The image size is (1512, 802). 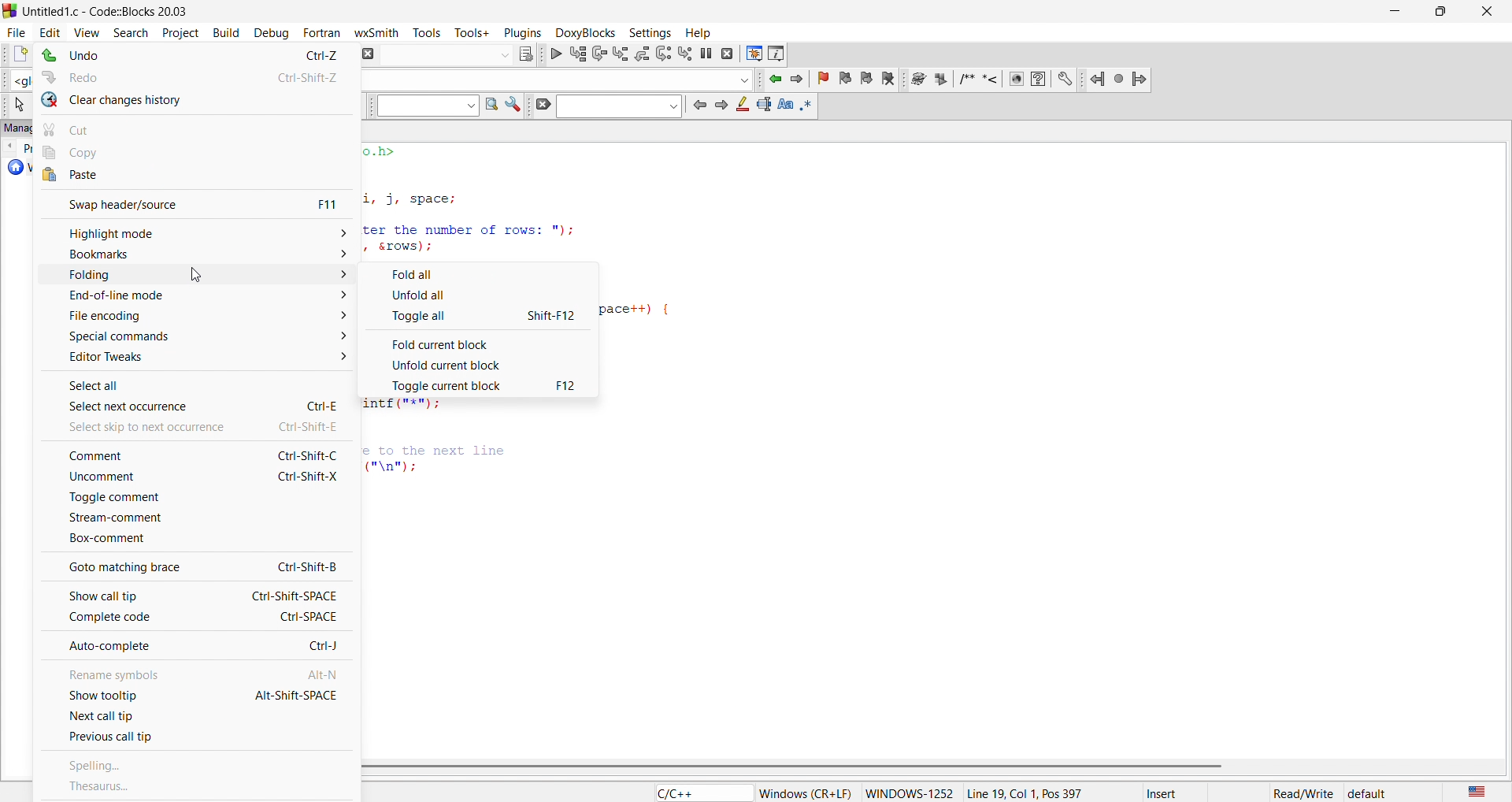 I want to click on , so click(x=480, y=272).